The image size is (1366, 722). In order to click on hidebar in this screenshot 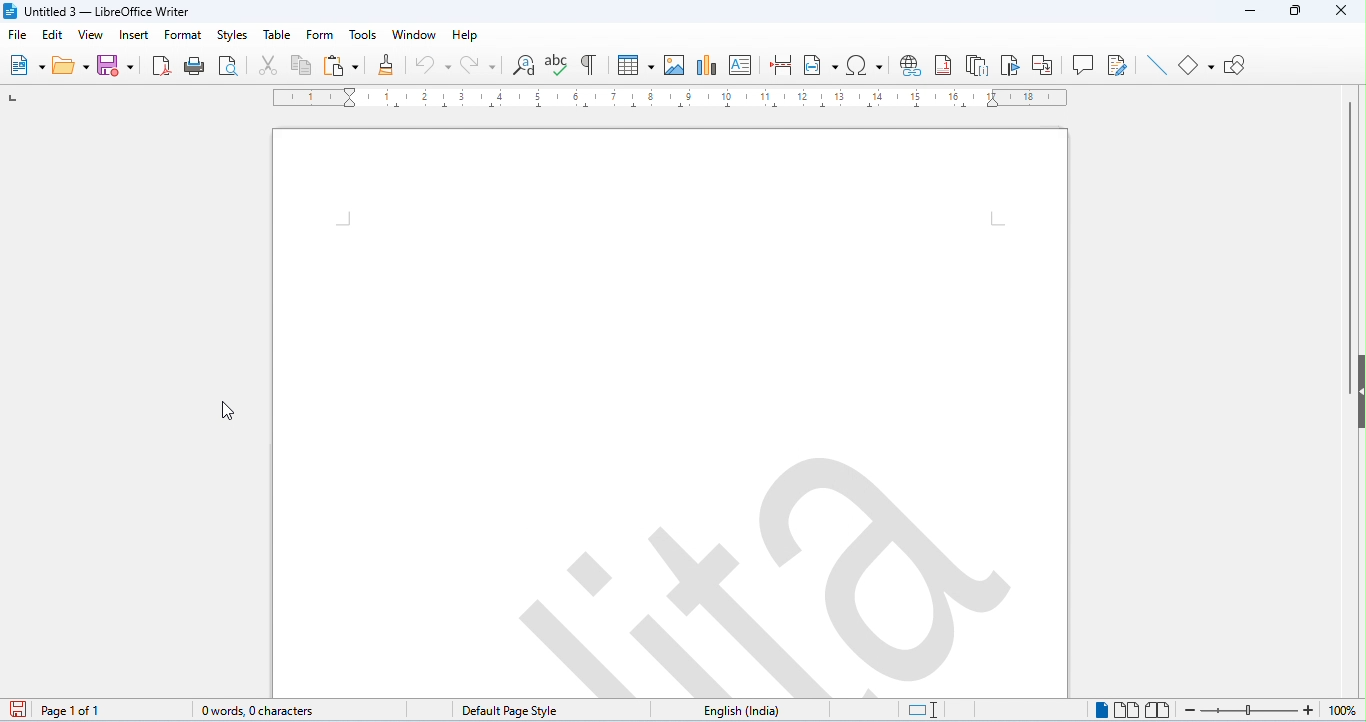, I will do `click(1361, 391)`.